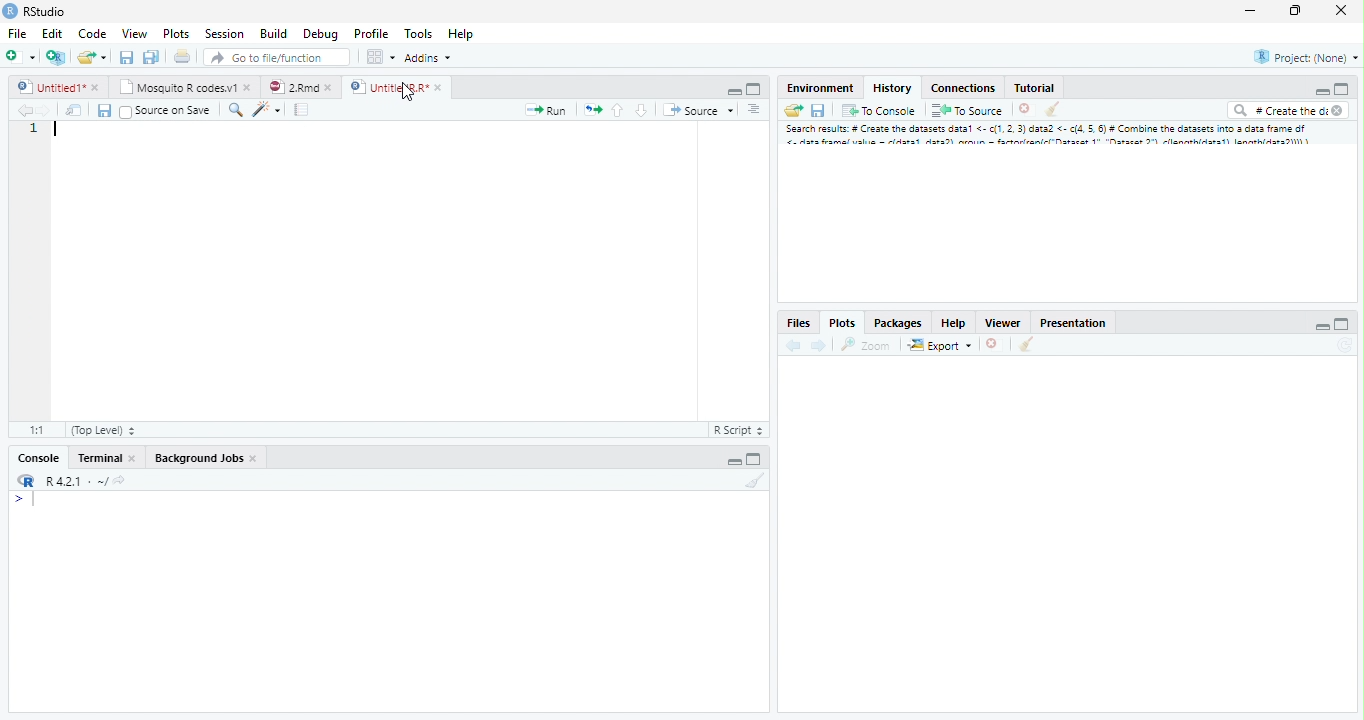 This screenshot has width=1364, height=720. Describe the element at coordinates (133, 35) in the screenshot. I see `View` at that location.